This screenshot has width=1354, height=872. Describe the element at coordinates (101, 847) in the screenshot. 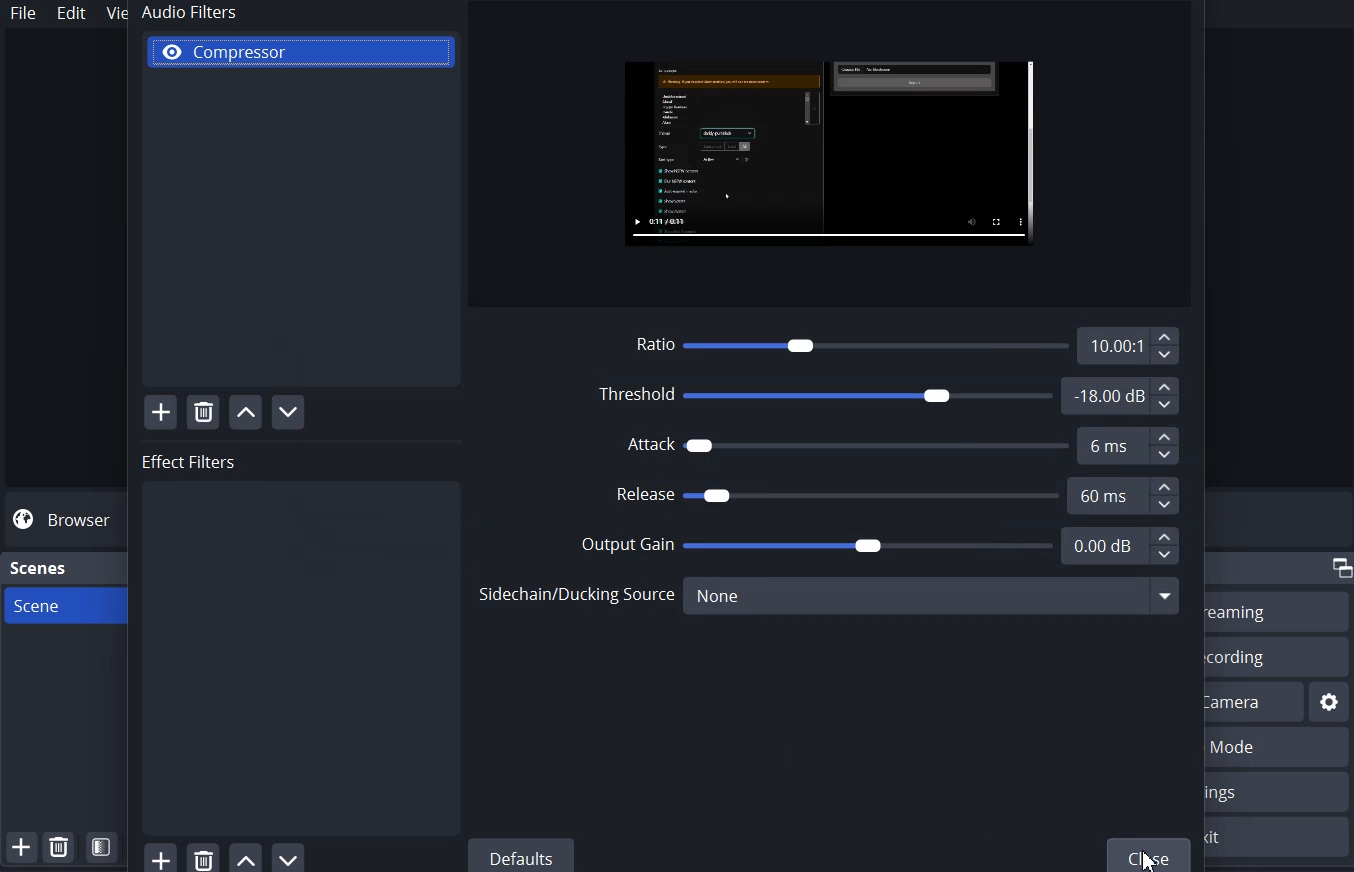

I see `Open Scene Filter` at that location.